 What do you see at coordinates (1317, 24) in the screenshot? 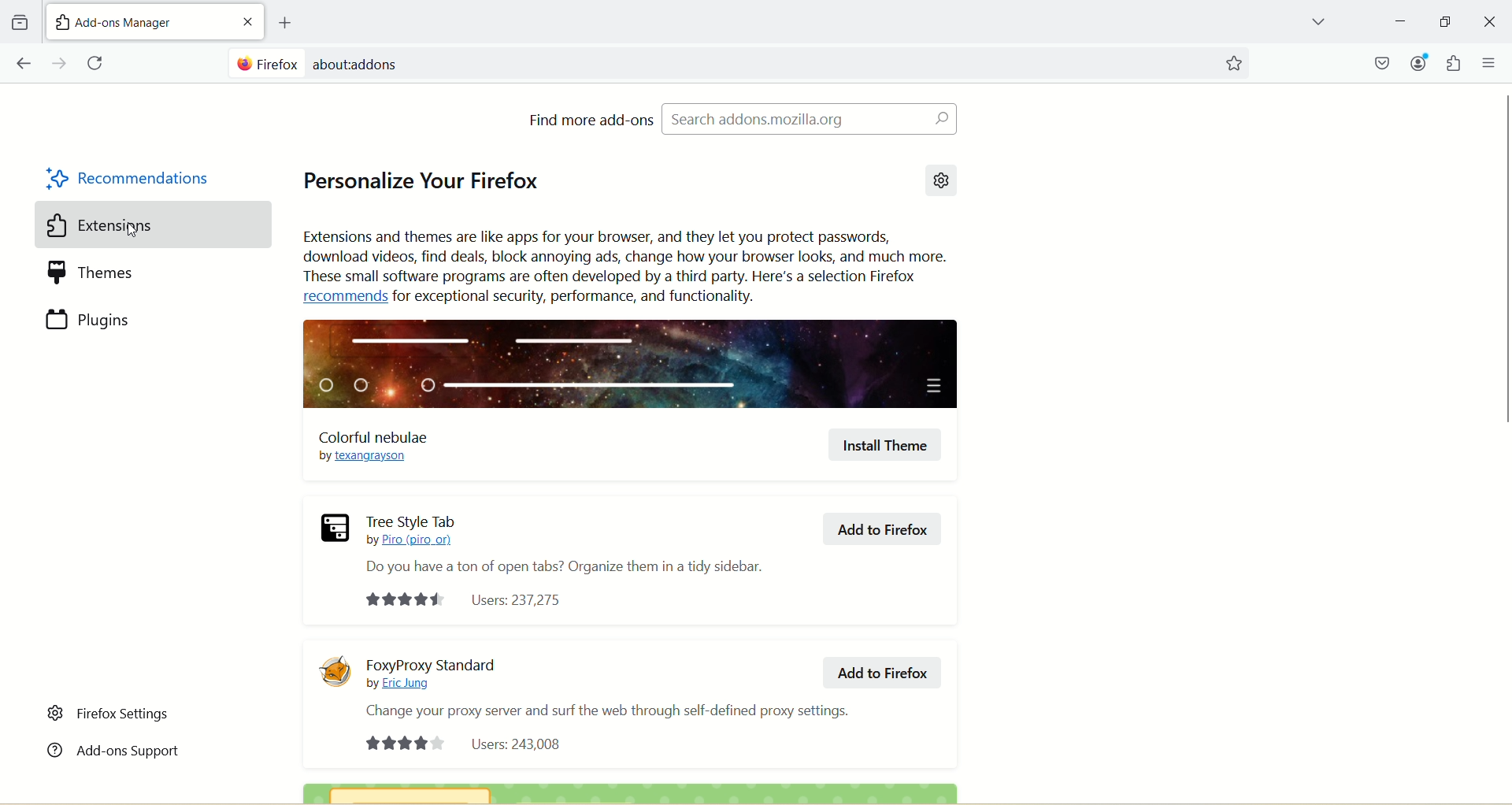
I see `Drop down box` at bounding box center [1317, 24].